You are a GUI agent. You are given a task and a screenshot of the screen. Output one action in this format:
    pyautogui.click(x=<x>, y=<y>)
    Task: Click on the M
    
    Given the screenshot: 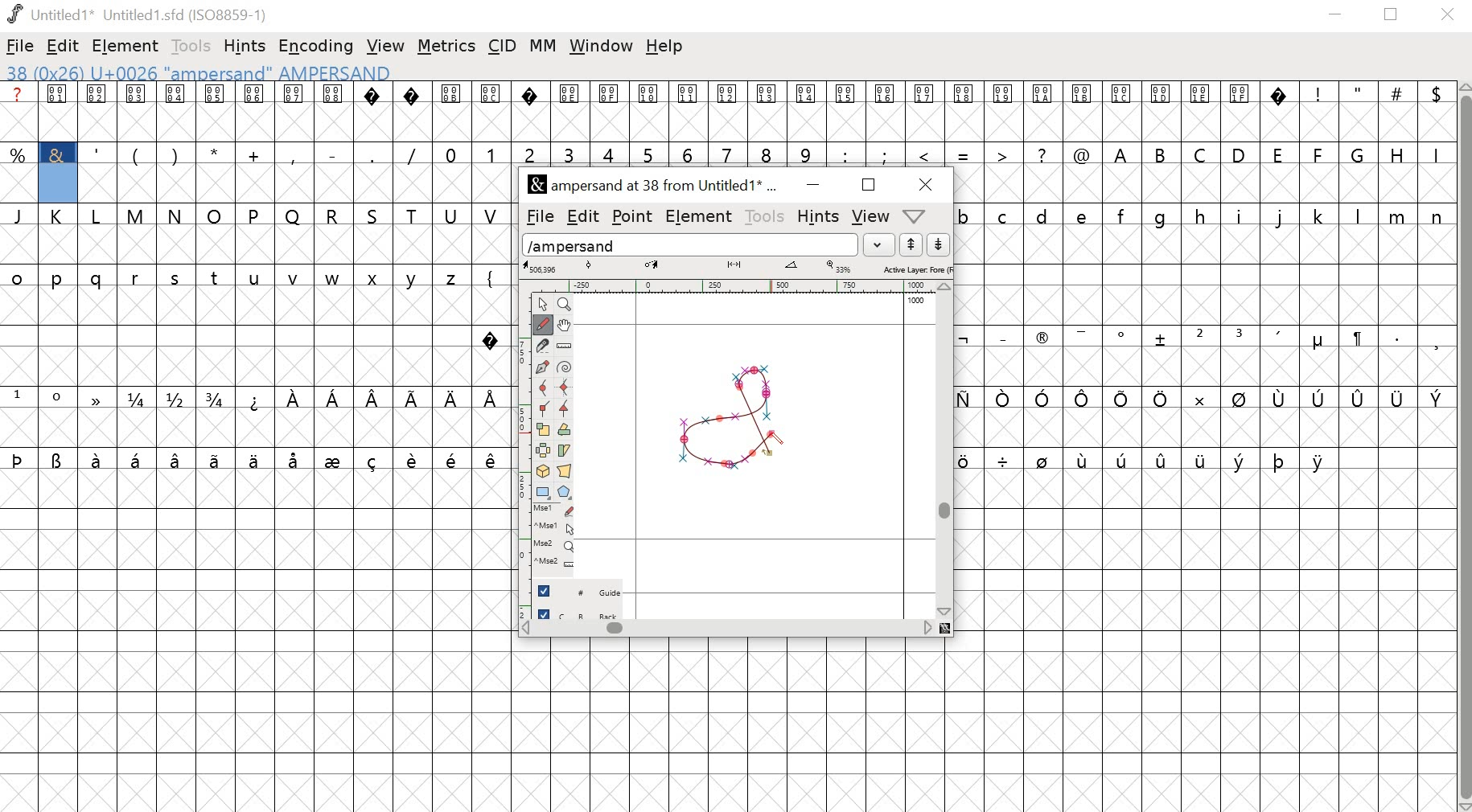 What is the action you would take?
    pyautogui.click(x=137, y=215)
    